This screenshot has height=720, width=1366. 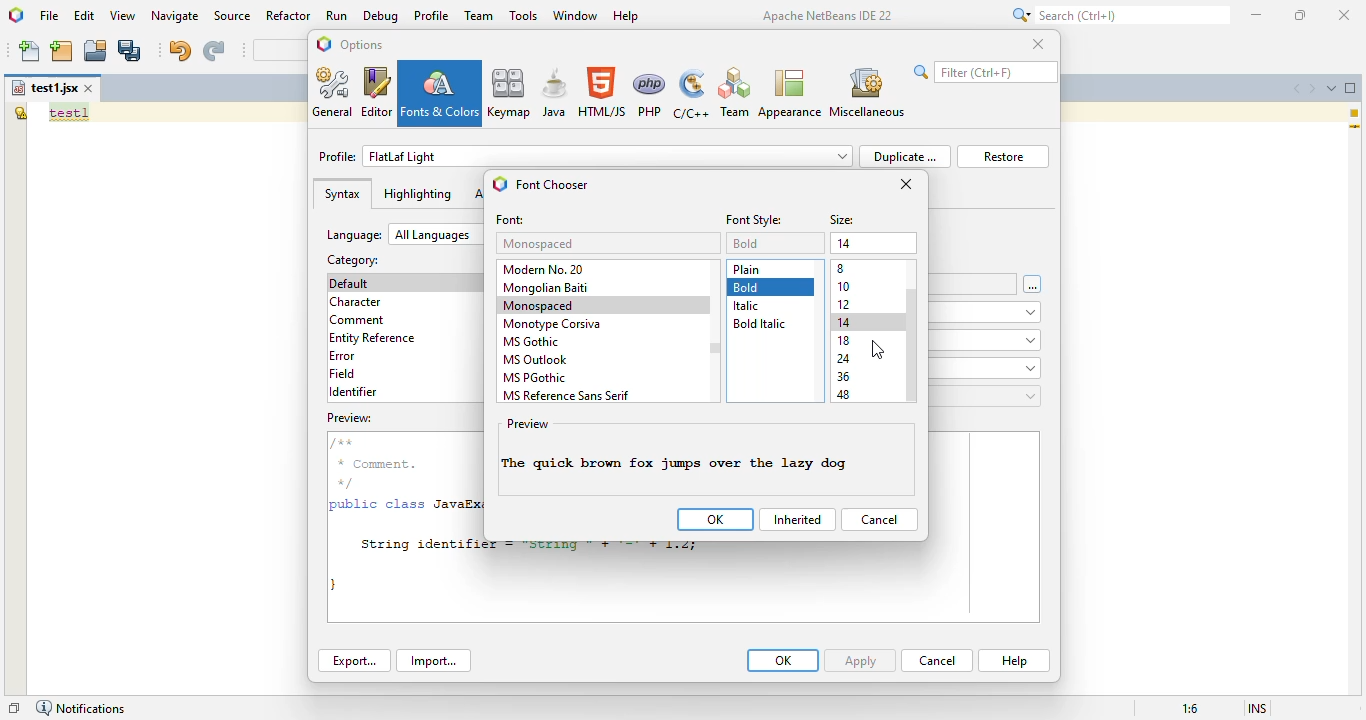 I want to click on apply, so click(x=862, y=660).